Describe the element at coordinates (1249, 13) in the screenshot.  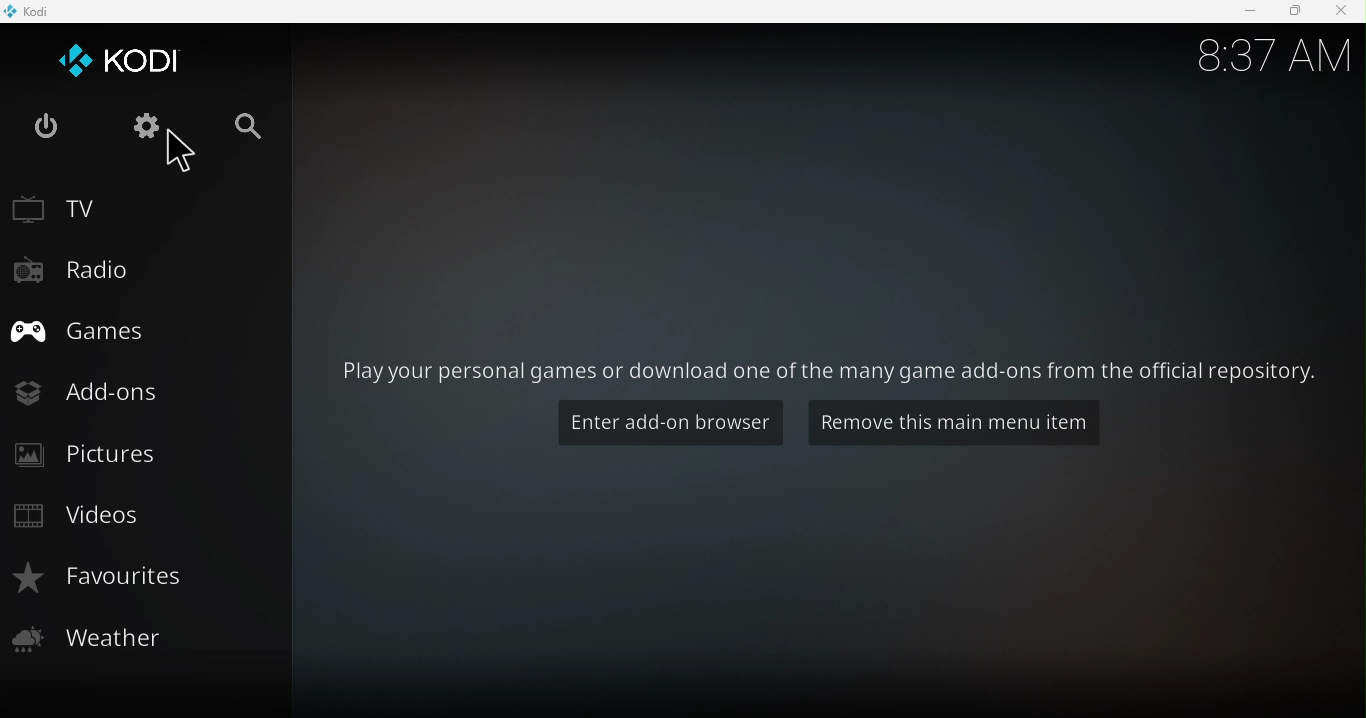
I see `Minimize` at that location.